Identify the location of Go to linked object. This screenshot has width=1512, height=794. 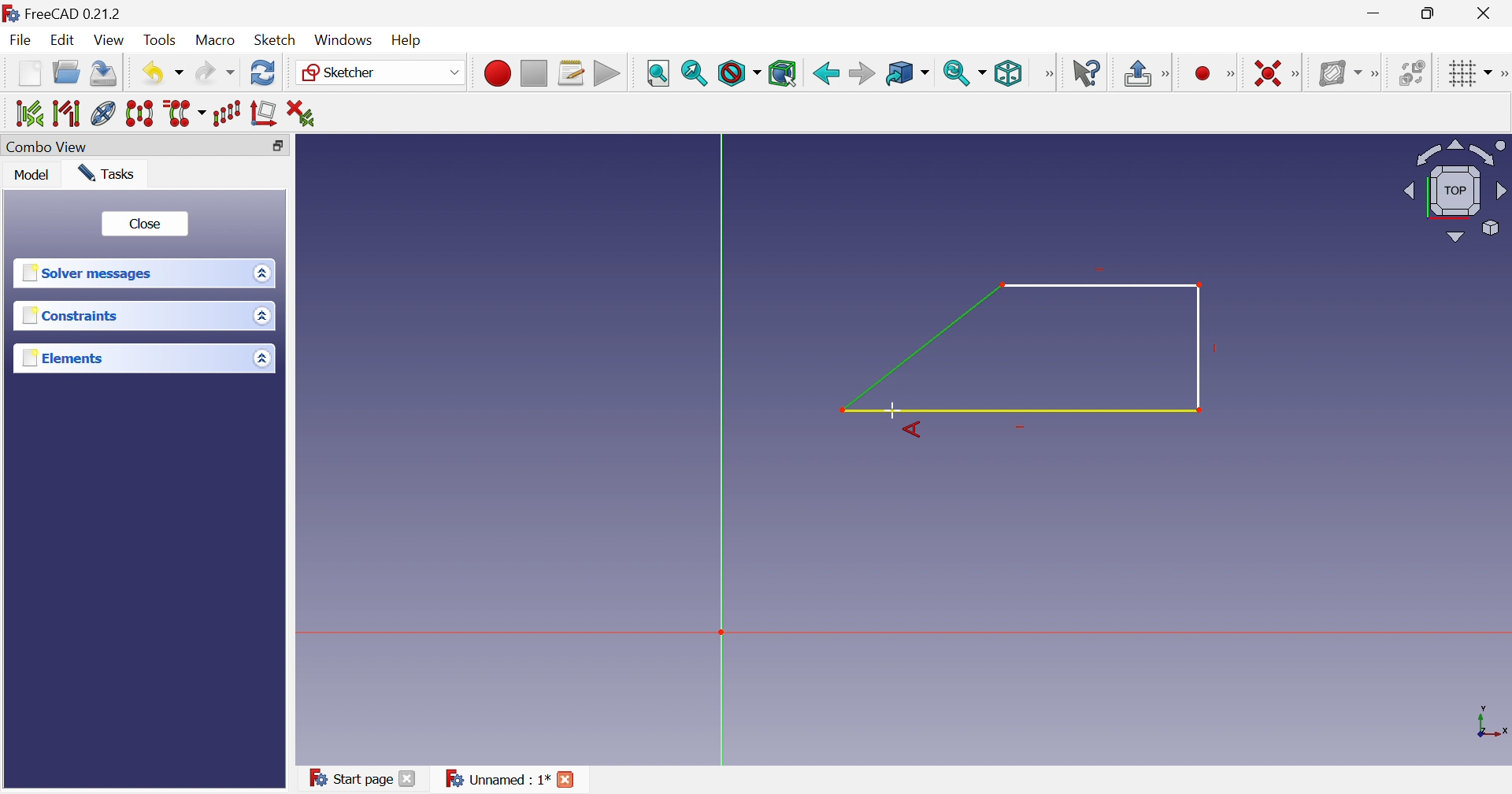
(899, 72).